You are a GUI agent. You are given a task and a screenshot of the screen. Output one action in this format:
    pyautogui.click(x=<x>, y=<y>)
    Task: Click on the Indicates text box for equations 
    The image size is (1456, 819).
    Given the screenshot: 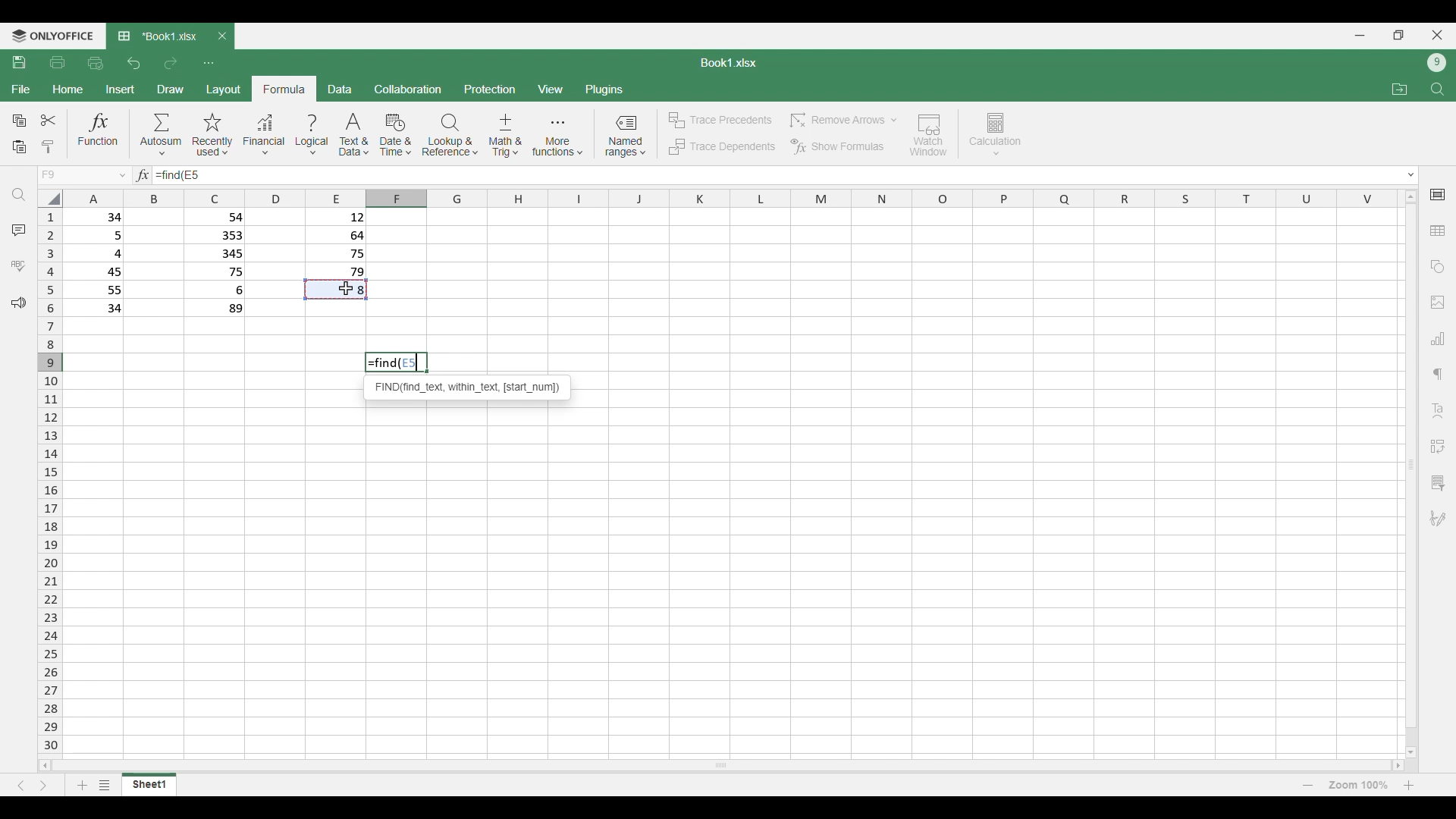 What is the action you would take?
    pyautogui.click(x=141, y=175)
    